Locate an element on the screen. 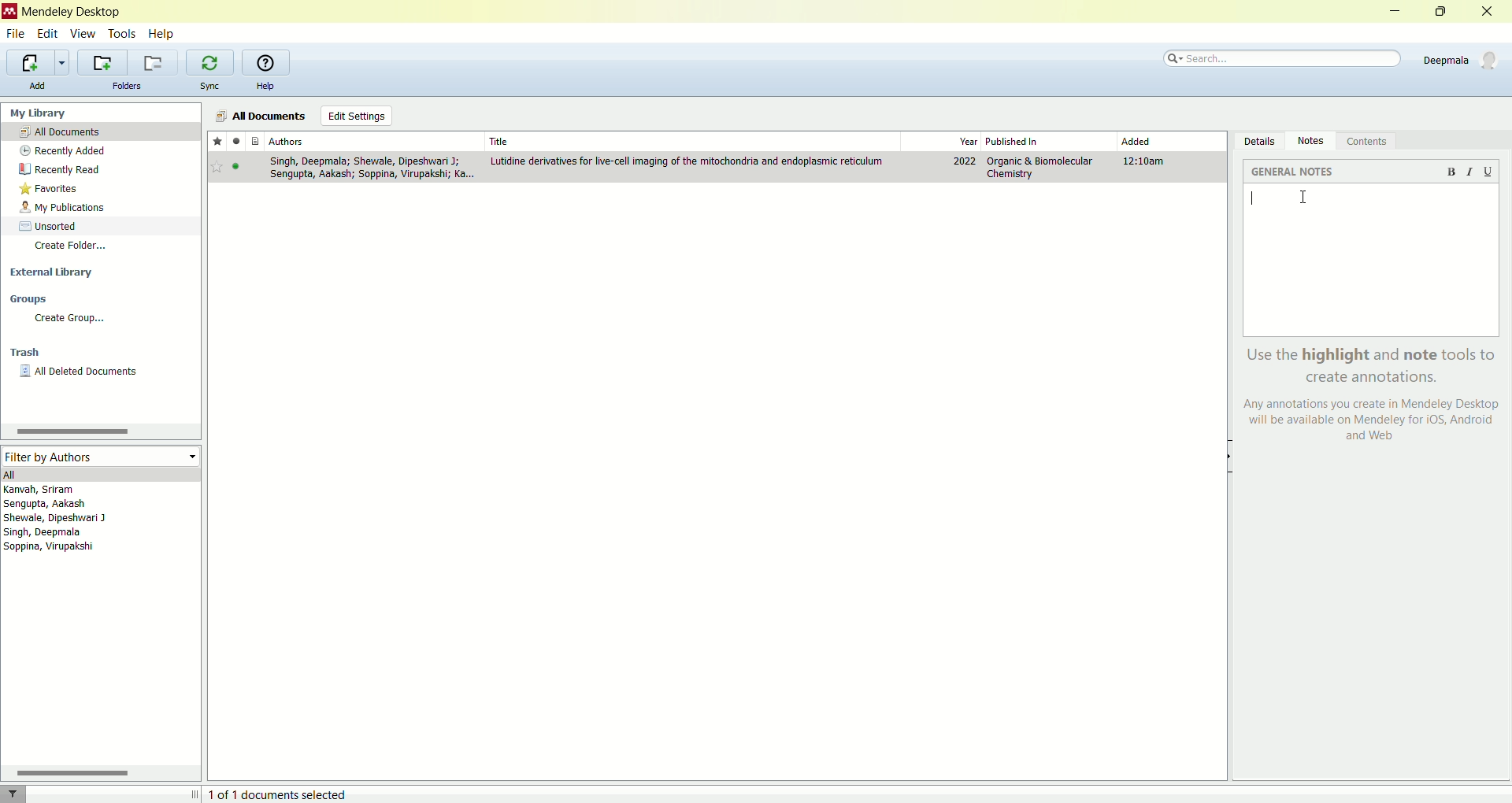  underline is located at coordinates (1488, 172).